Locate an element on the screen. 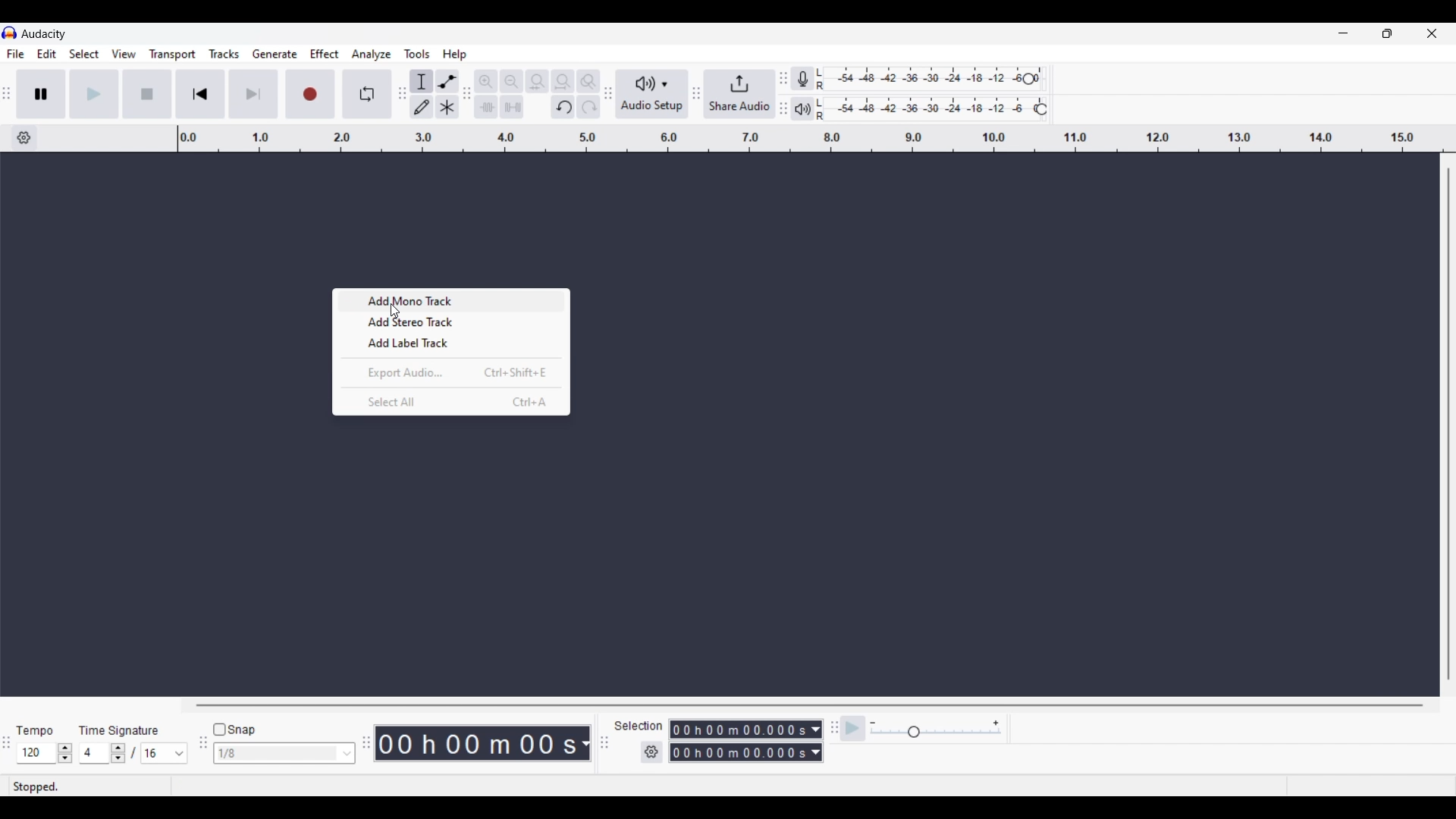 The width and height of the screenshot is (1456, 819). Analyze menu is located at coordinates (372, 54).